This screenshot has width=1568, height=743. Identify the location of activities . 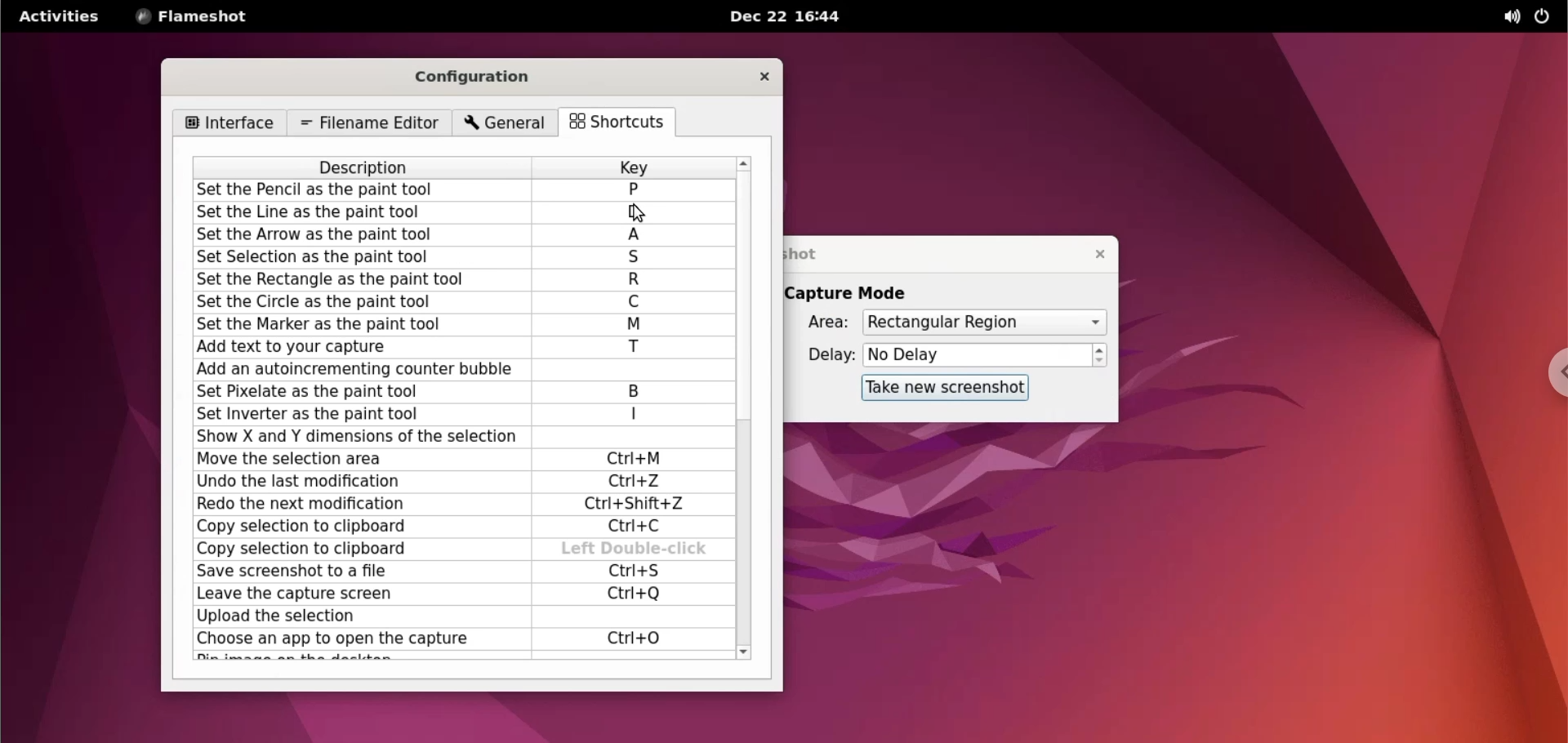
(60, 16).